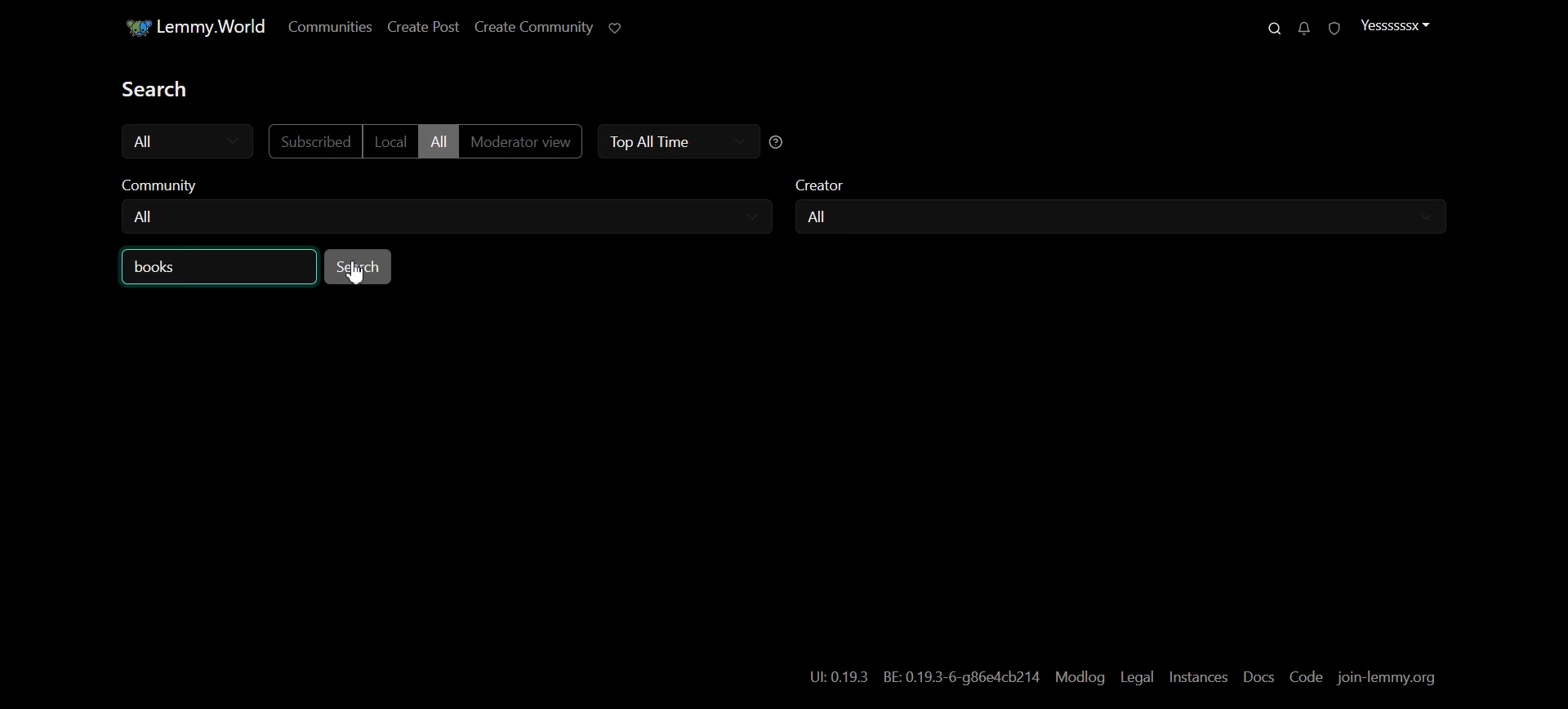  Describe the element at coordinates (1558, 354) in the screenshot. I see `Vertical scroll bar` at that location.